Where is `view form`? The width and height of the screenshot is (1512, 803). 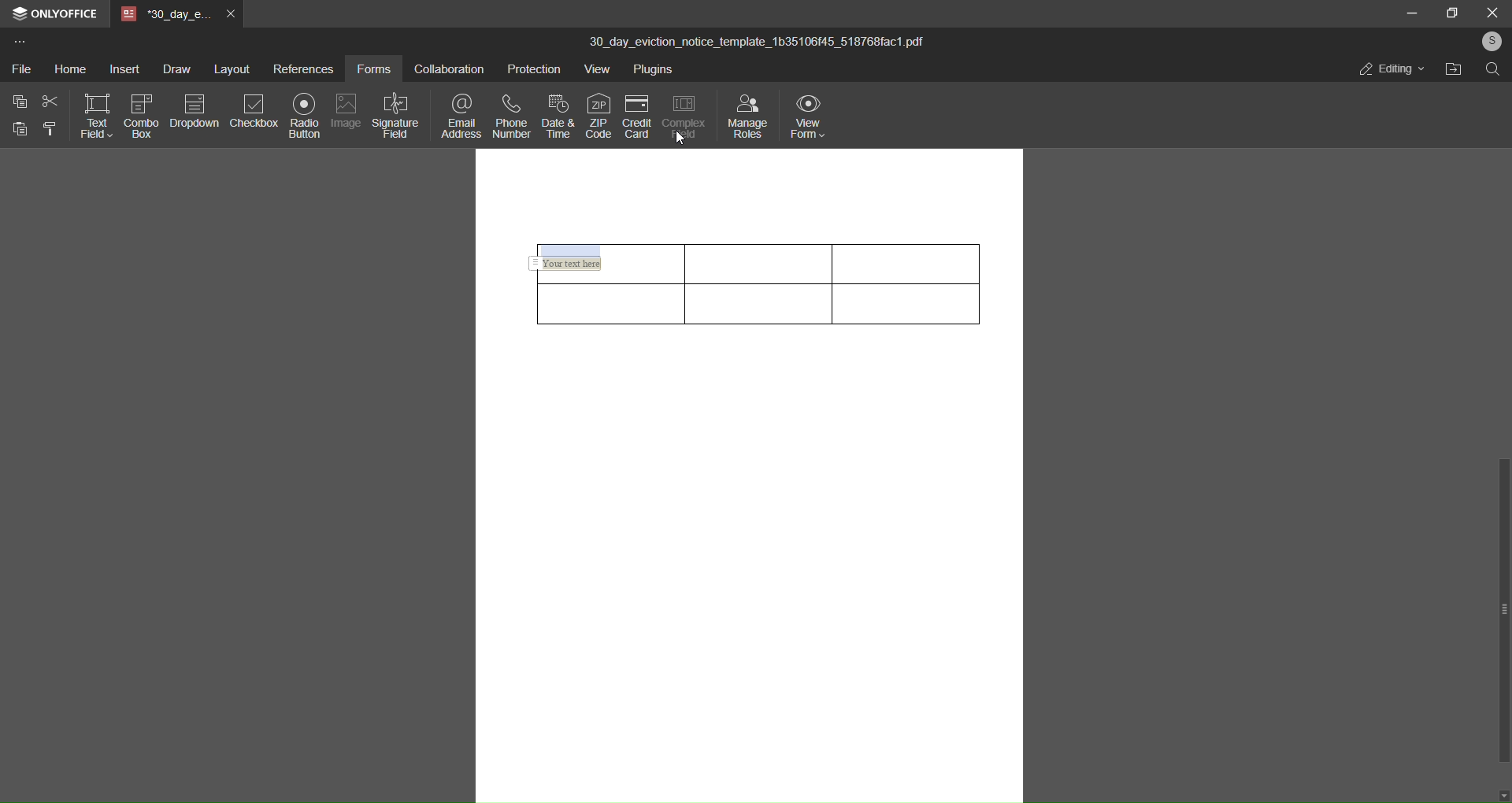 view form is located at coordinates (808, 113).